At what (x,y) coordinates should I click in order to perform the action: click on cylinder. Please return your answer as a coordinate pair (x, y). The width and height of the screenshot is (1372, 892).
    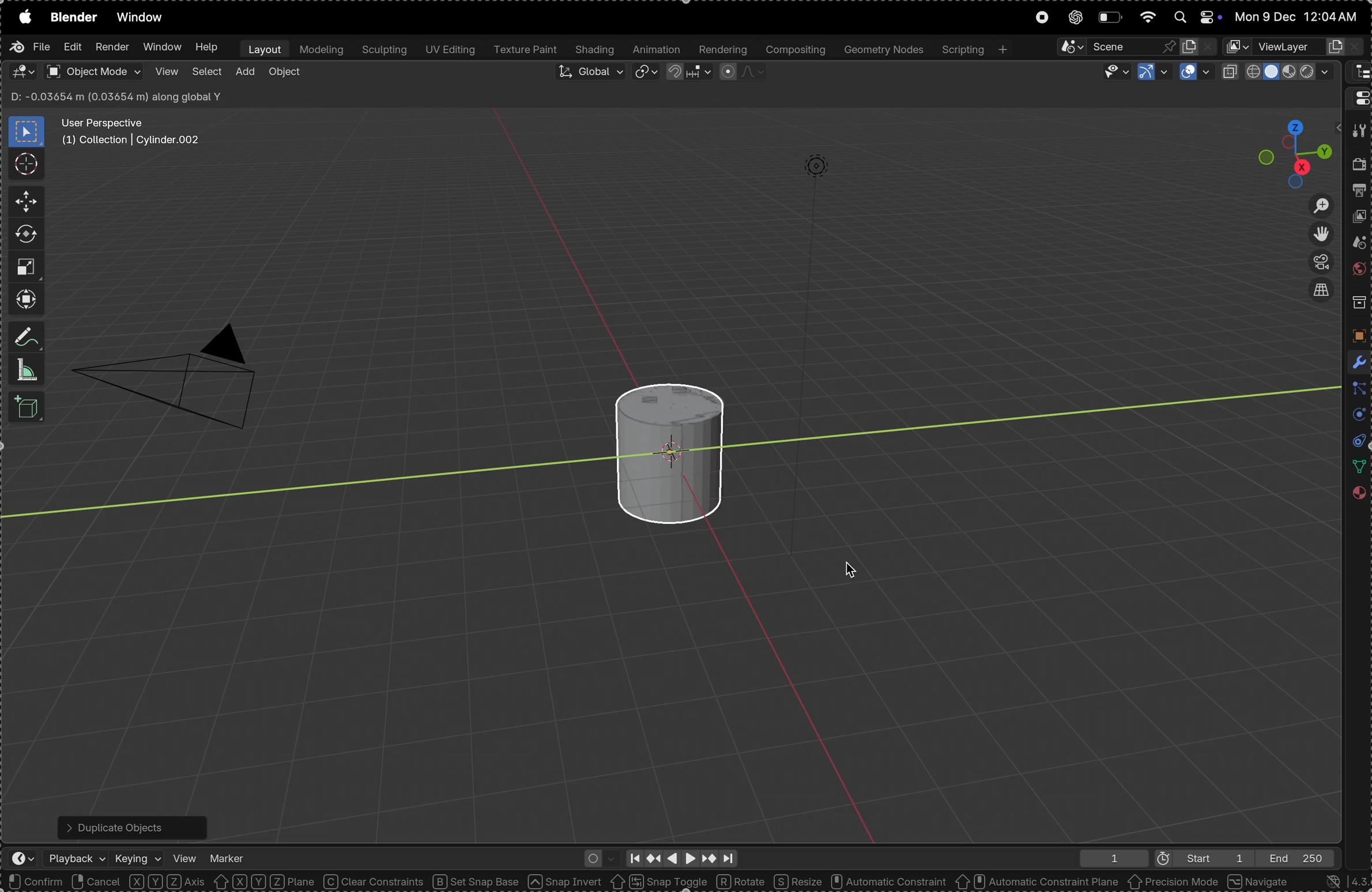
    Looking at the image, I should click on (664, 447).